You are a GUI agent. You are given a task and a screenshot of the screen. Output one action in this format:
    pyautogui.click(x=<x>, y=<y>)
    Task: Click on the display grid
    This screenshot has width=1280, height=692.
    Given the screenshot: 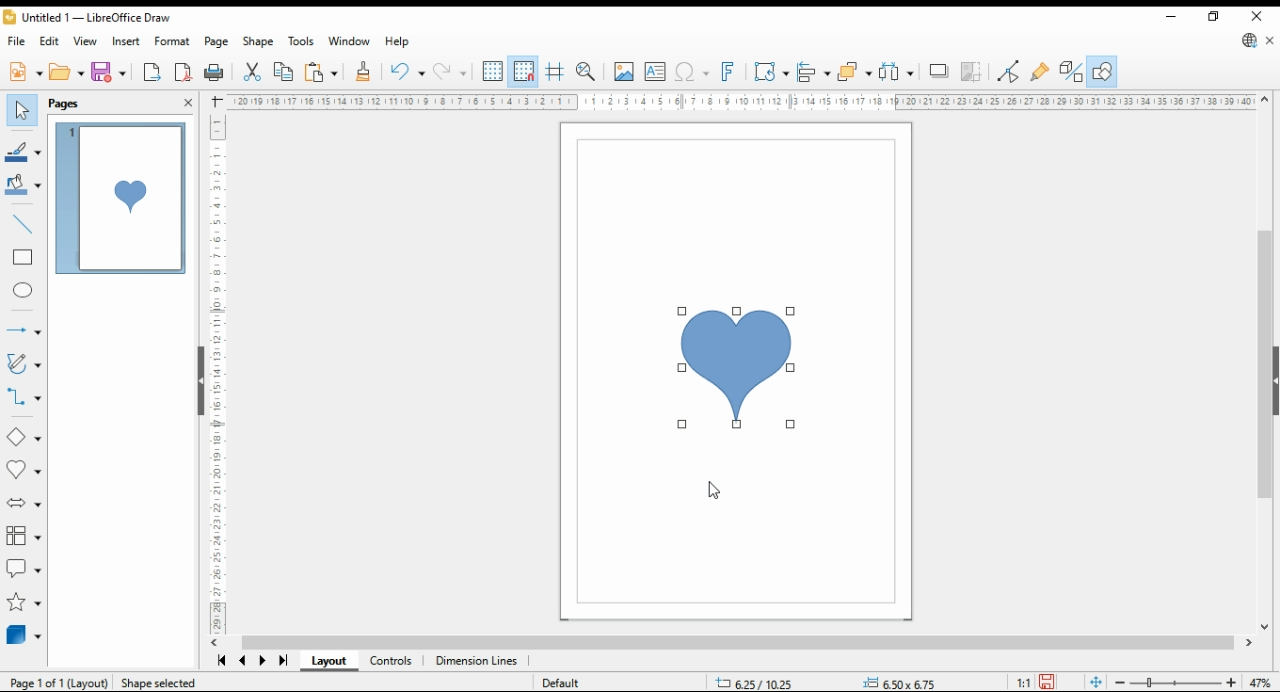 What is the action you would take?
    pyautogui.click(x=493, y=72)
    